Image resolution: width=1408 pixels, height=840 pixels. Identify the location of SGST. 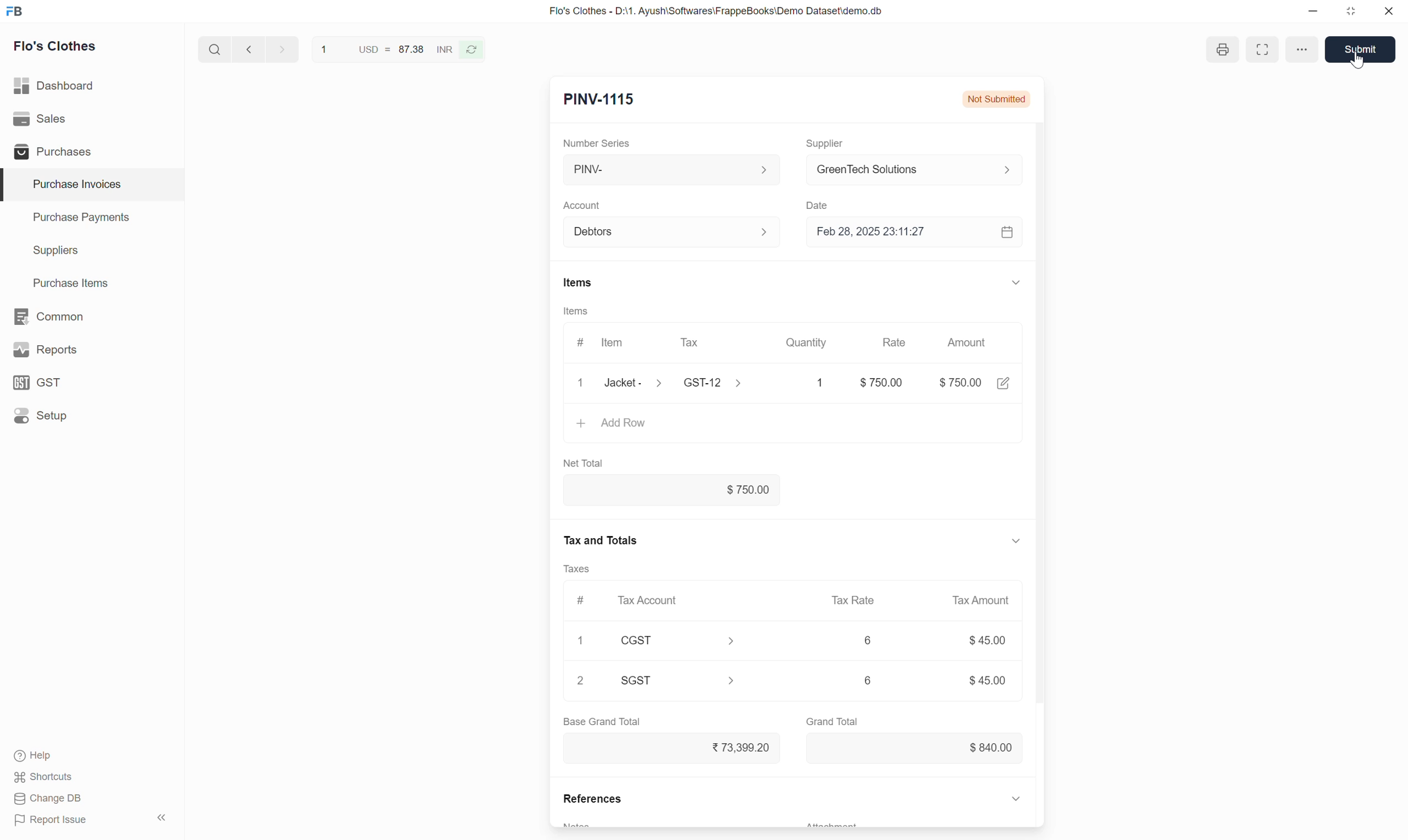
(679, 680).